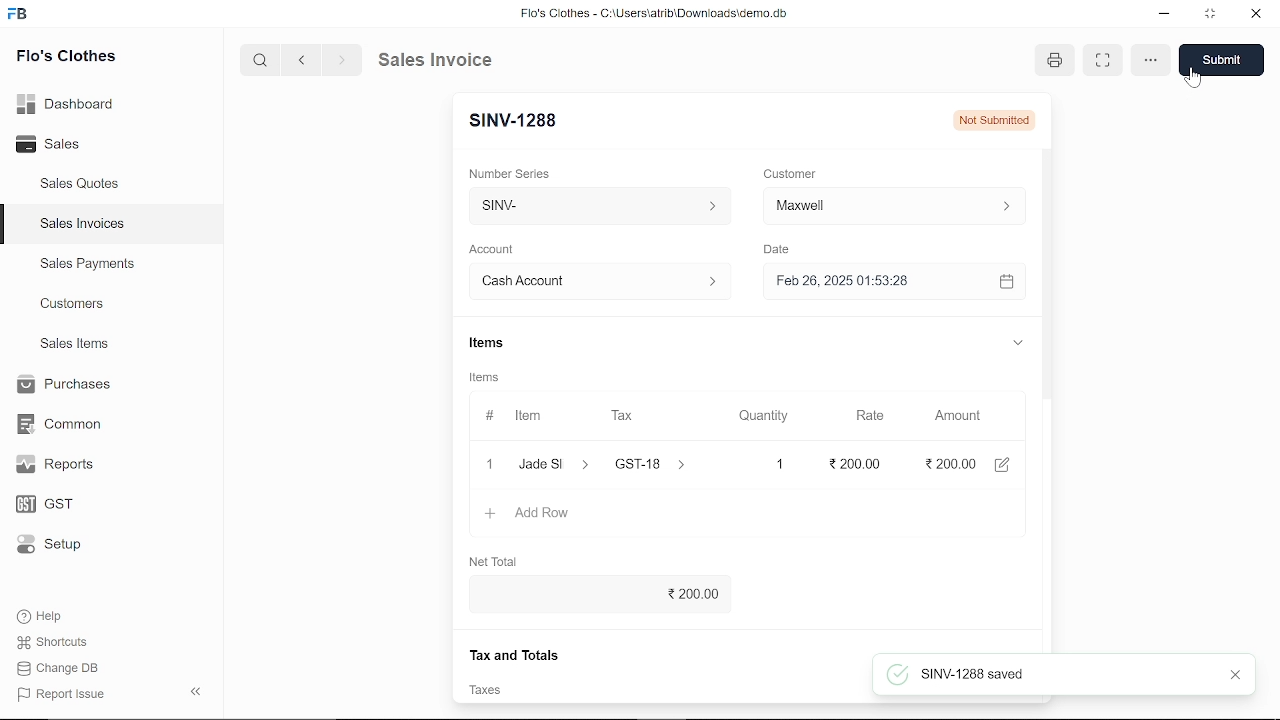 The image size is (1280, 720). What do you see at coordinates (1254, 15) in the screenshot?
I see `close` at bounding box center [1254, 15].